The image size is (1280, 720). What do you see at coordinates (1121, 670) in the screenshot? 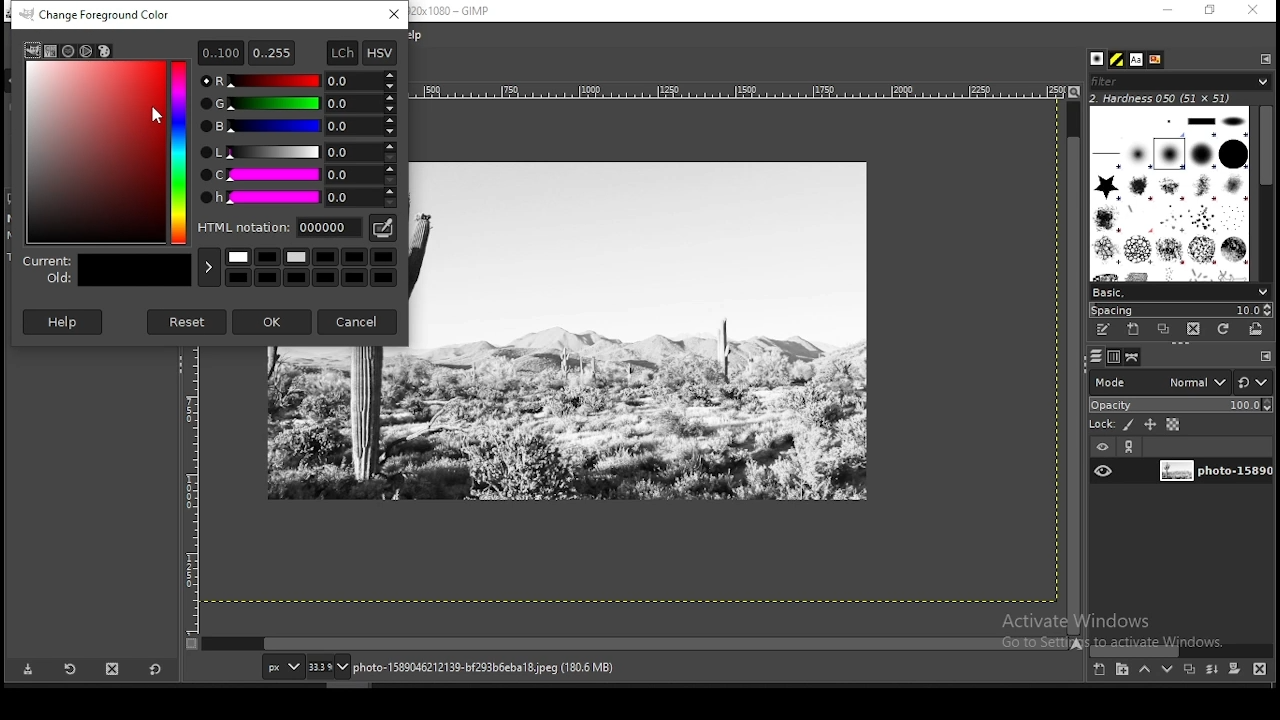
I see `new layer group` at bounding box center [1121, 670].